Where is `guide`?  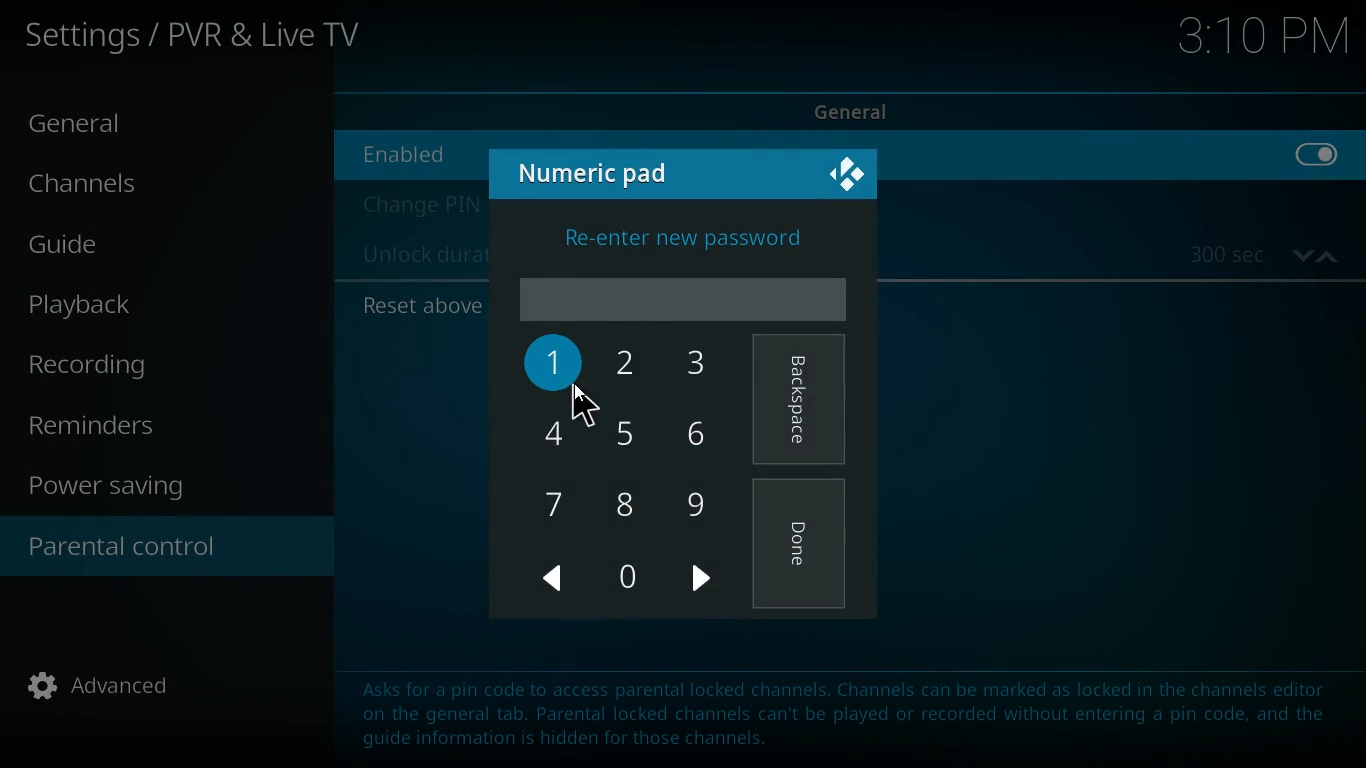
guide is located at coordinates (123, 247).